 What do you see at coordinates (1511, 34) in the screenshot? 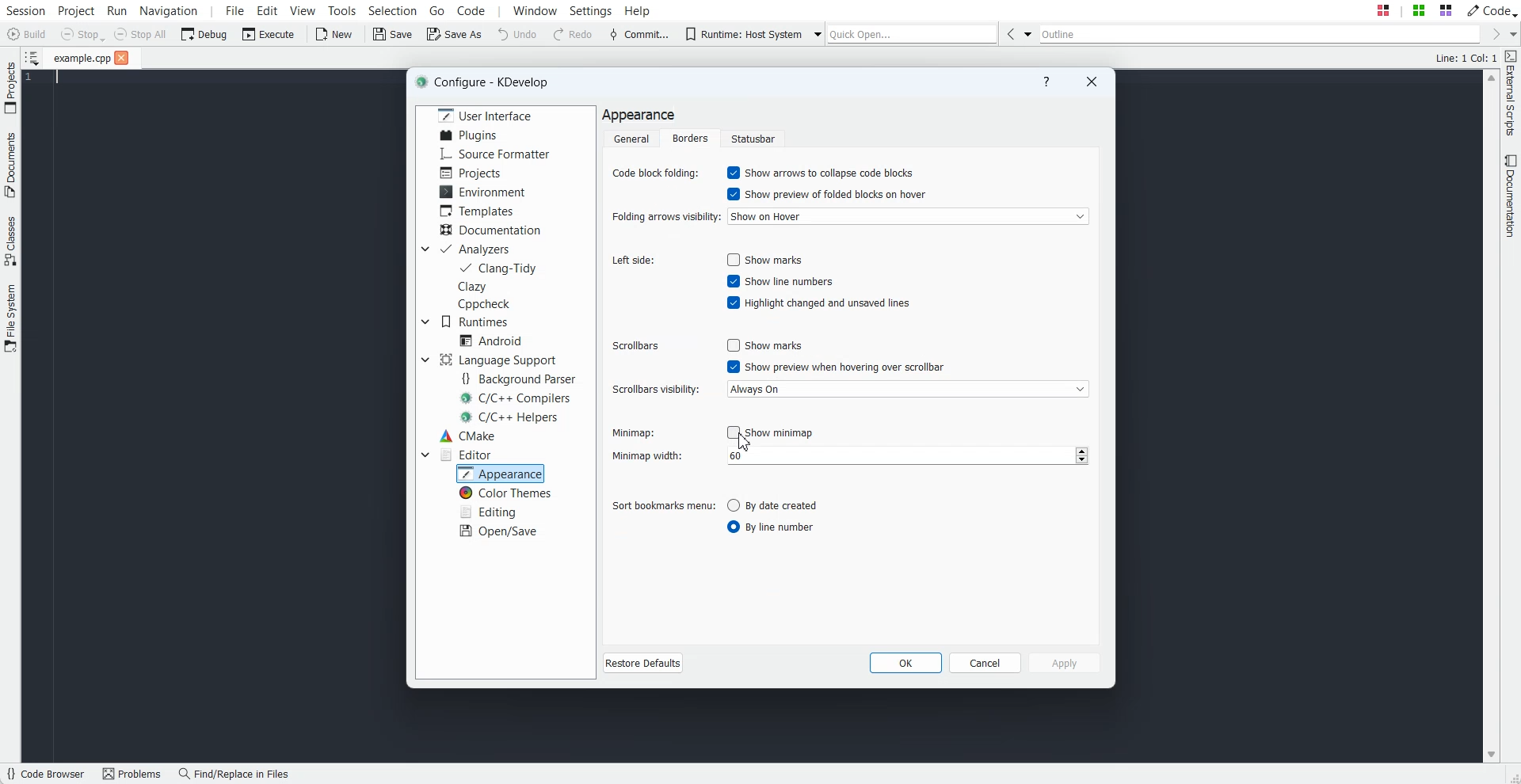
I see `Drop down box` at bounding box center [1511, 34].